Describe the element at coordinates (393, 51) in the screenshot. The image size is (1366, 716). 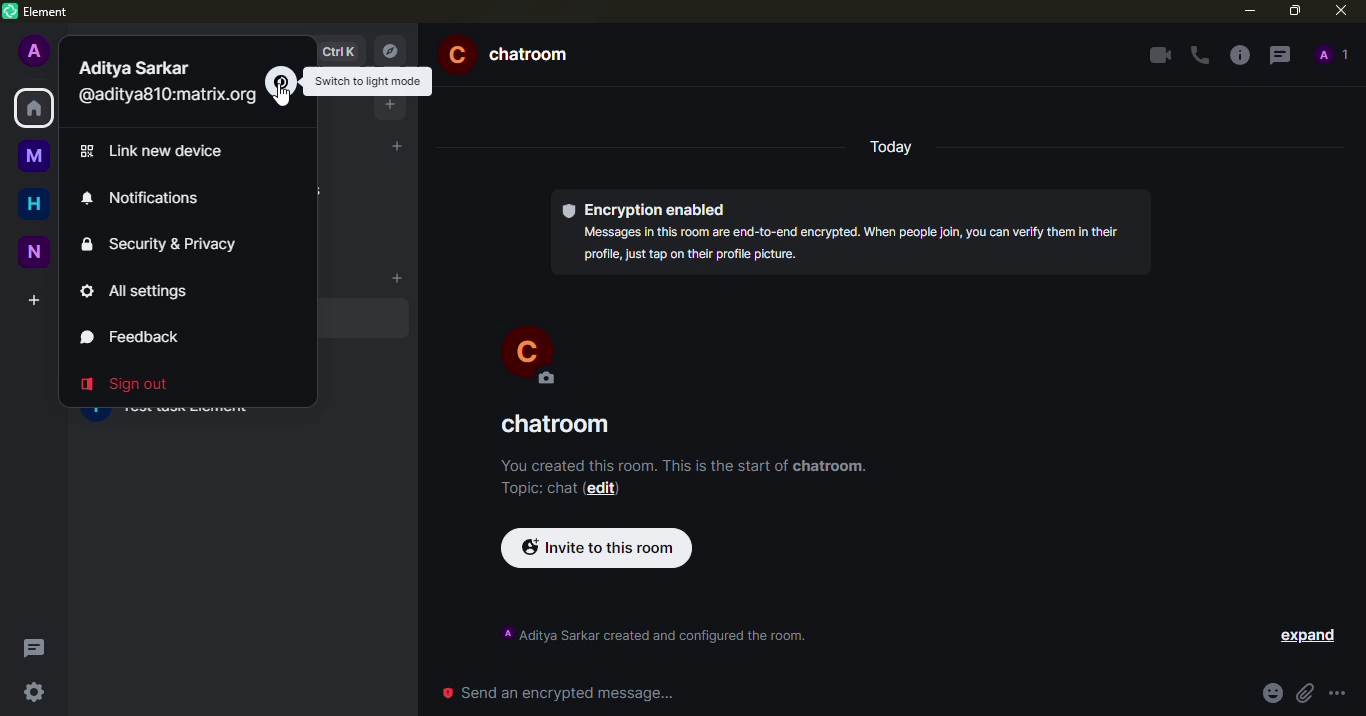
I see `explore rooms` at that location.